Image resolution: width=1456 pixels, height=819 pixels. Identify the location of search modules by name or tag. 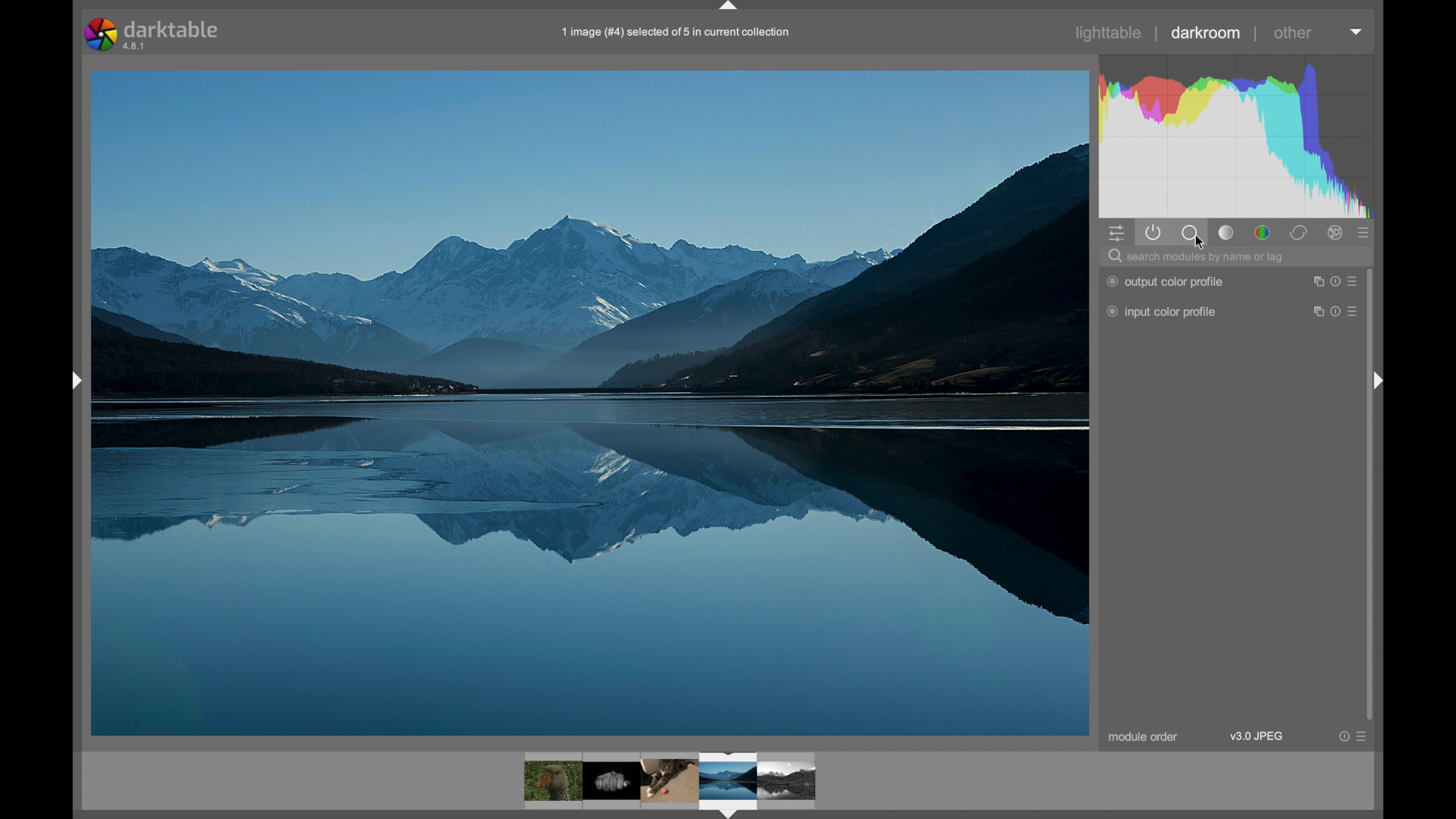
(1198, 256).